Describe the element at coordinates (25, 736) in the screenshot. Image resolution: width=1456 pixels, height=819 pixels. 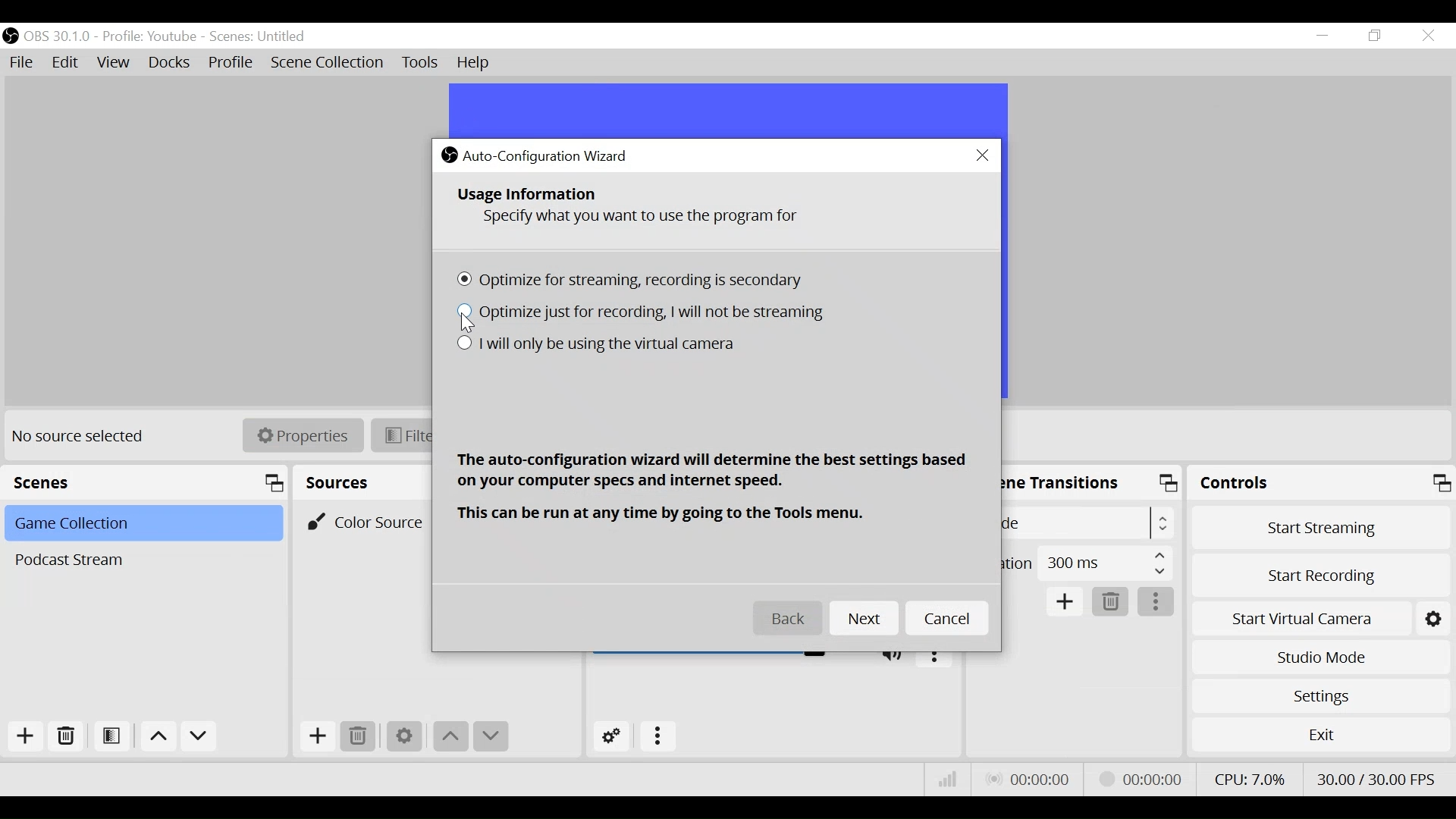
I see `Add` at that location.